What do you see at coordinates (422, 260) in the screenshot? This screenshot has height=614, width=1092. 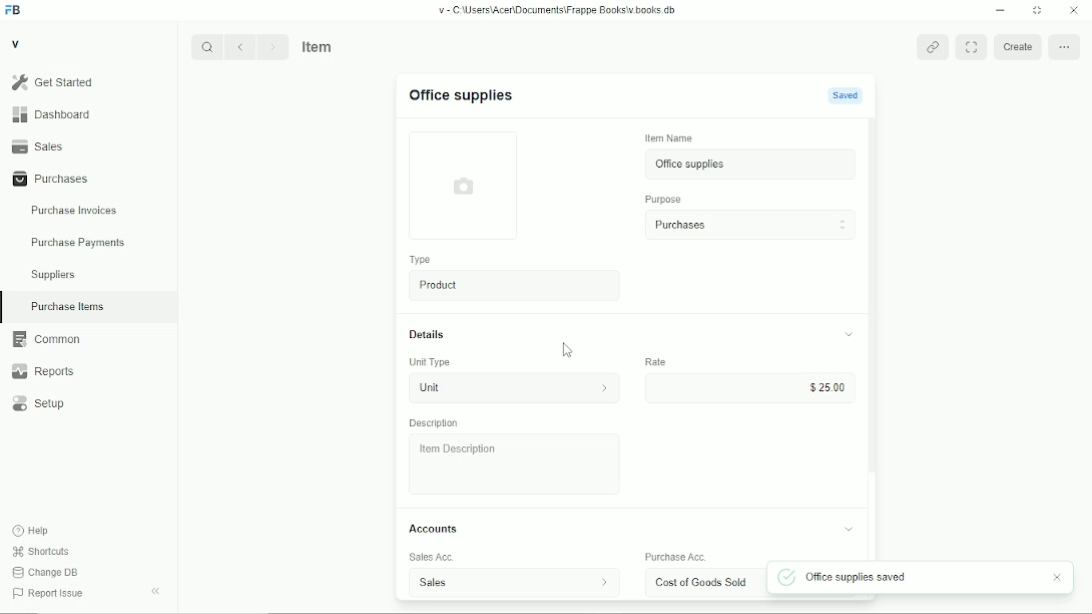 I see `type` at bounding box center [422, 260].